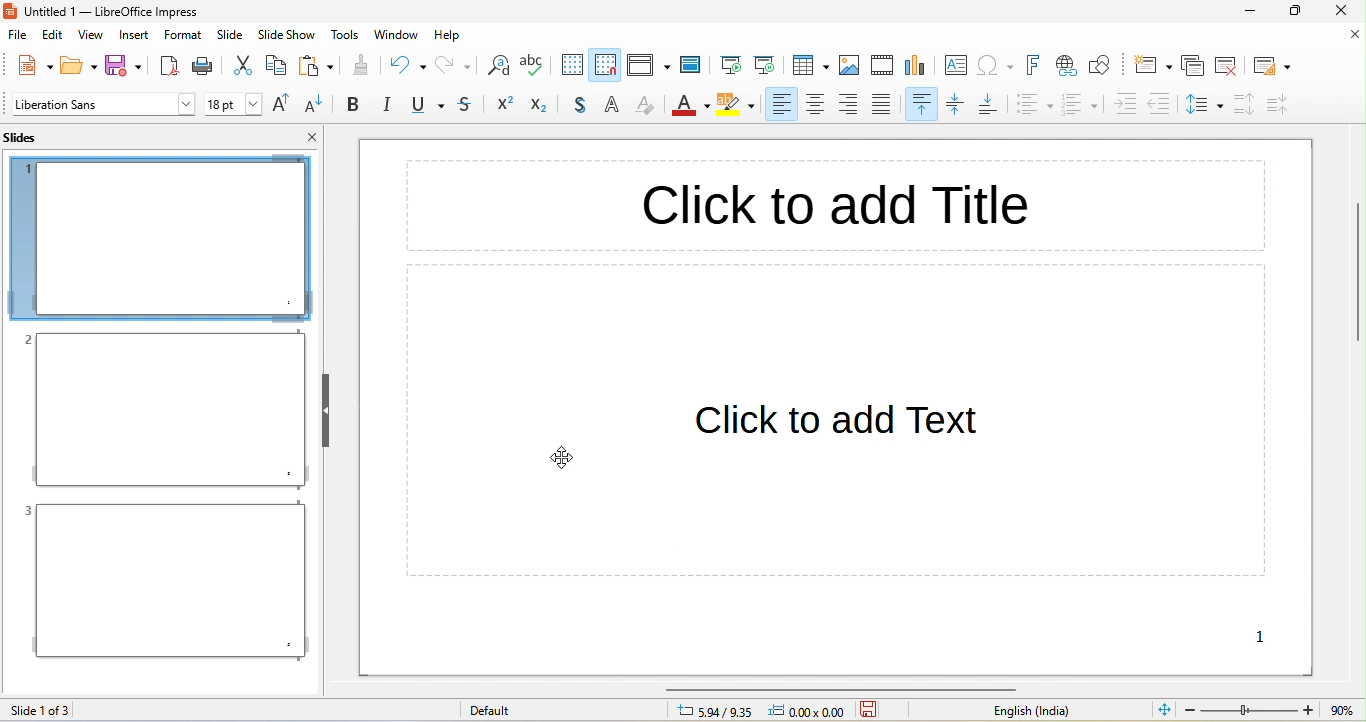  I want to click on minimizee, so click(1252, 11).